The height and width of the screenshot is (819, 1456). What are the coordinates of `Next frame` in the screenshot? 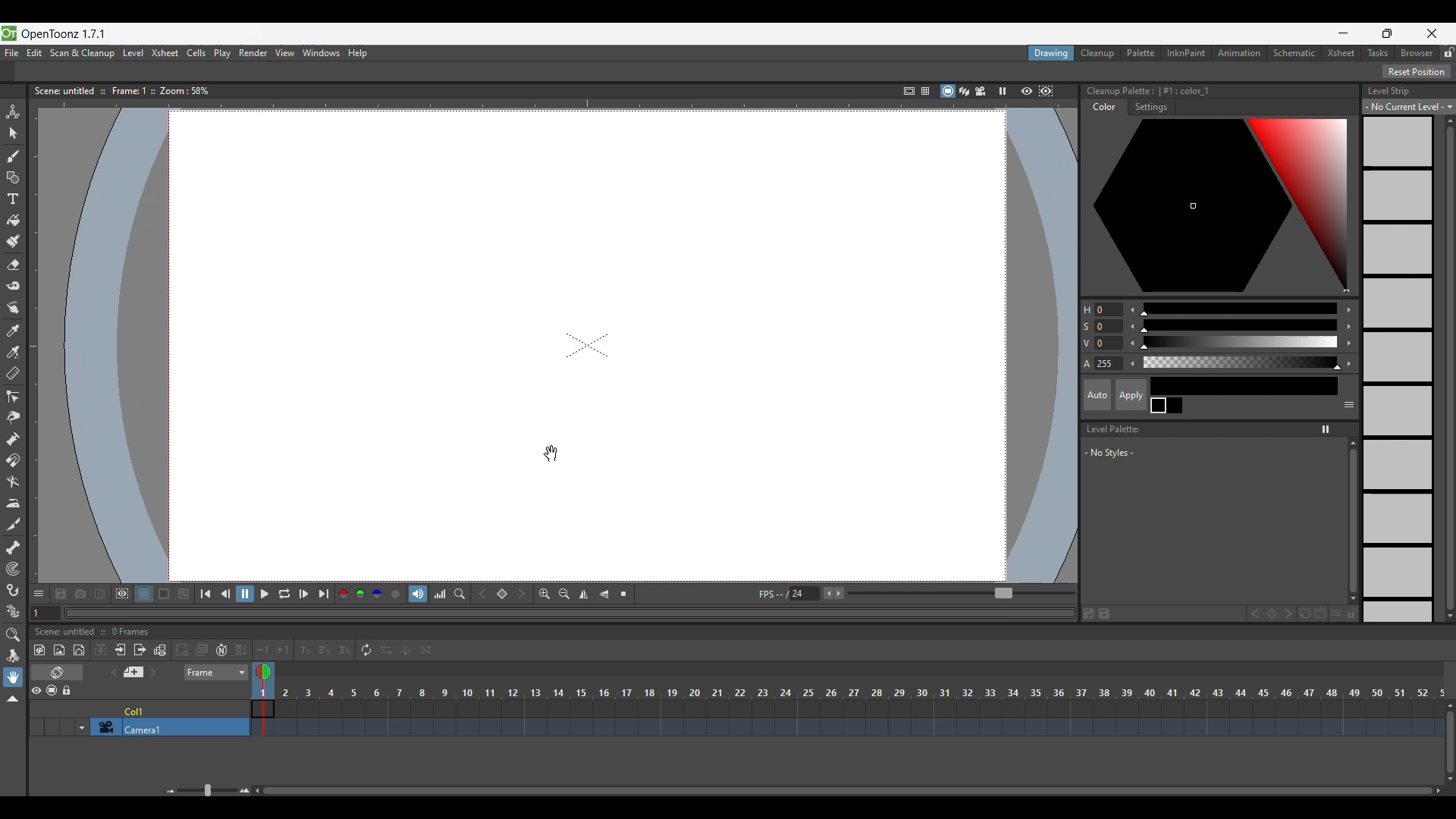 It's located at (303, 594).